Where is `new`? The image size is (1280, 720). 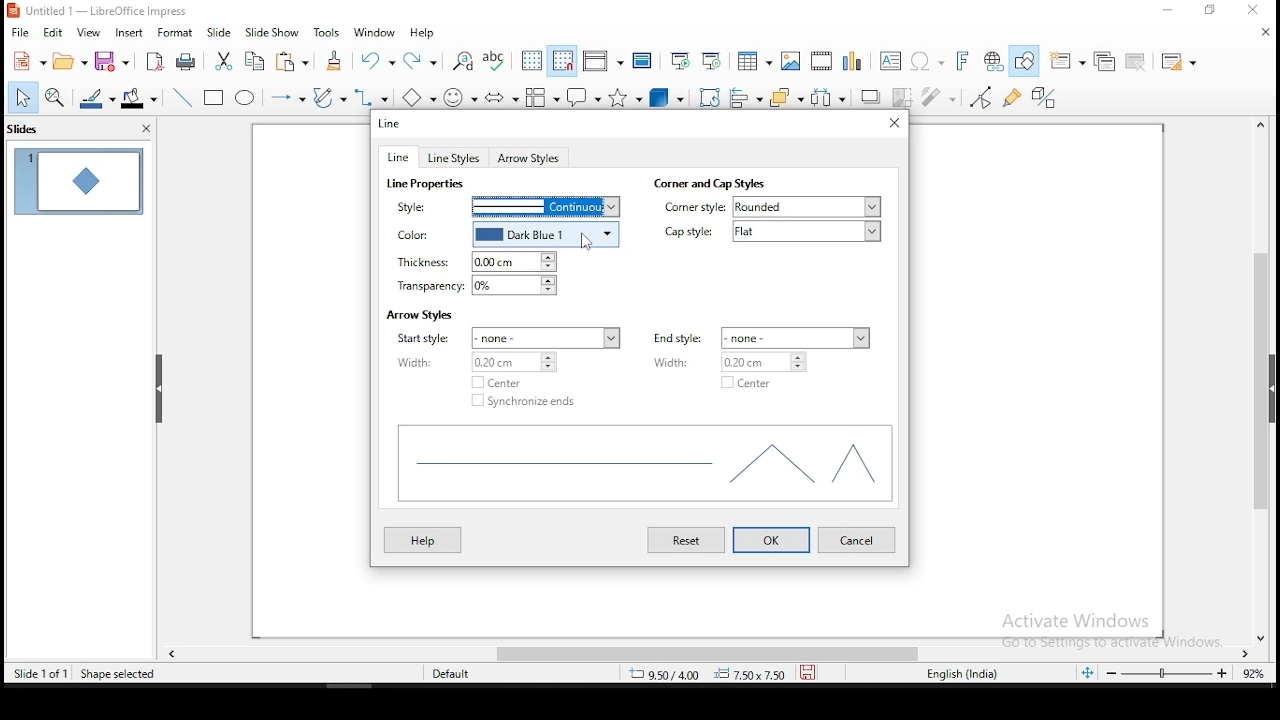
new is located at coordinates (25, 61).